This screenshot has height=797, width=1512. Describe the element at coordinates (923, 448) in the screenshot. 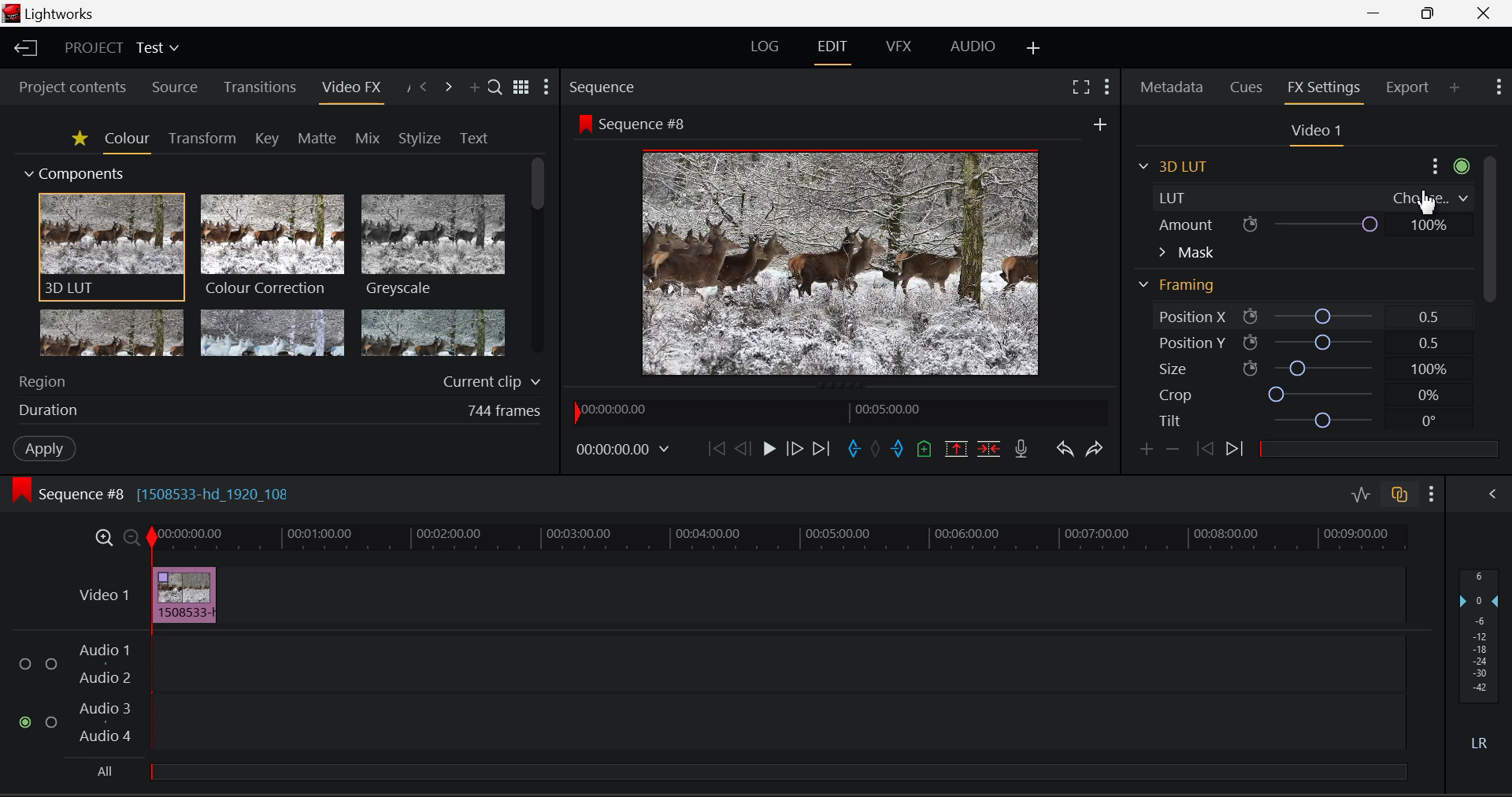

I see `Mark Cue` at that location.